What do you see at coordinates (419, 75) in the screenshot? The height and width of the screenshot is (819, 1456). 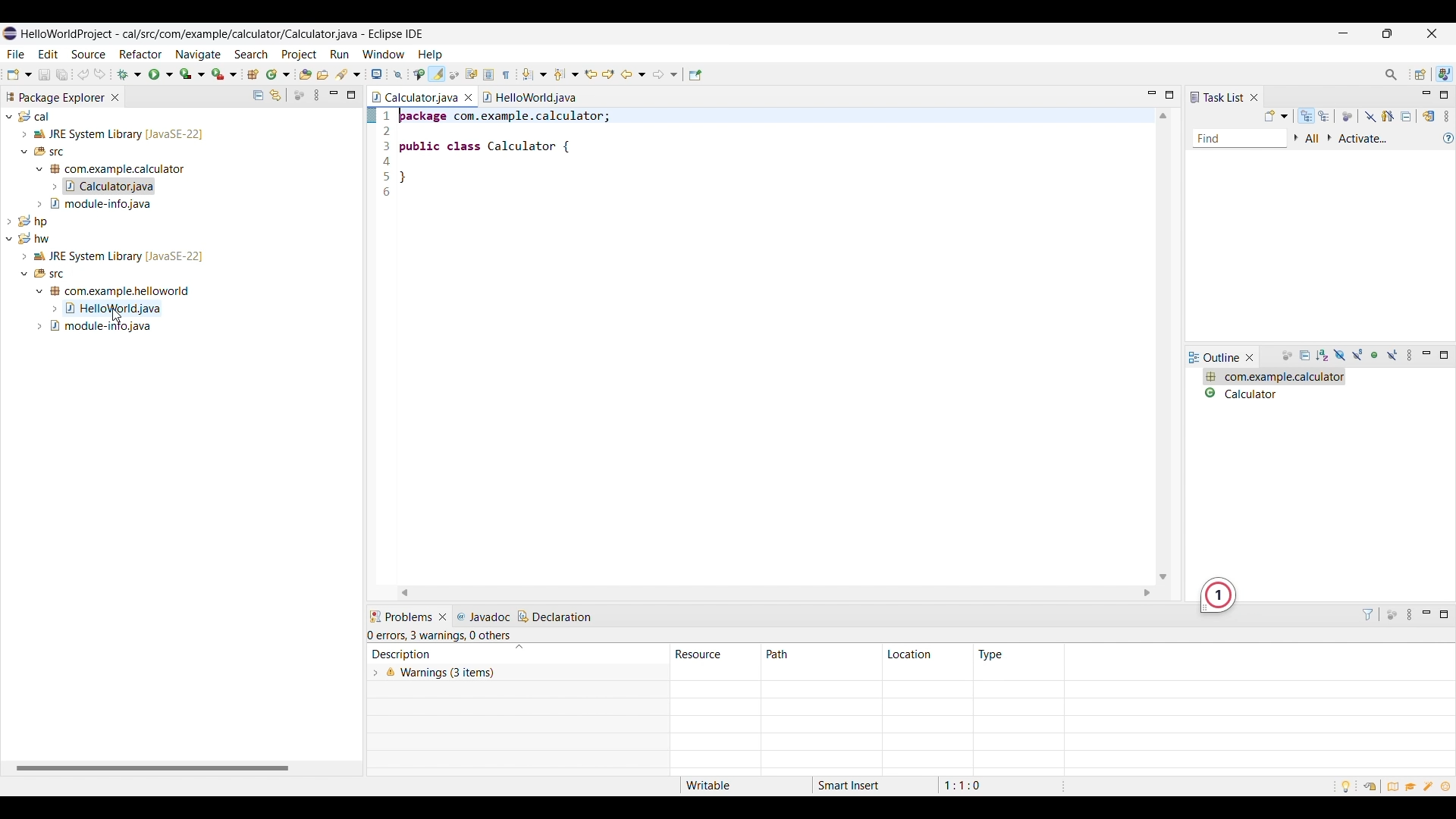 I see `Toggle Java editor breadcrumb` at bounding box center [419, 75].